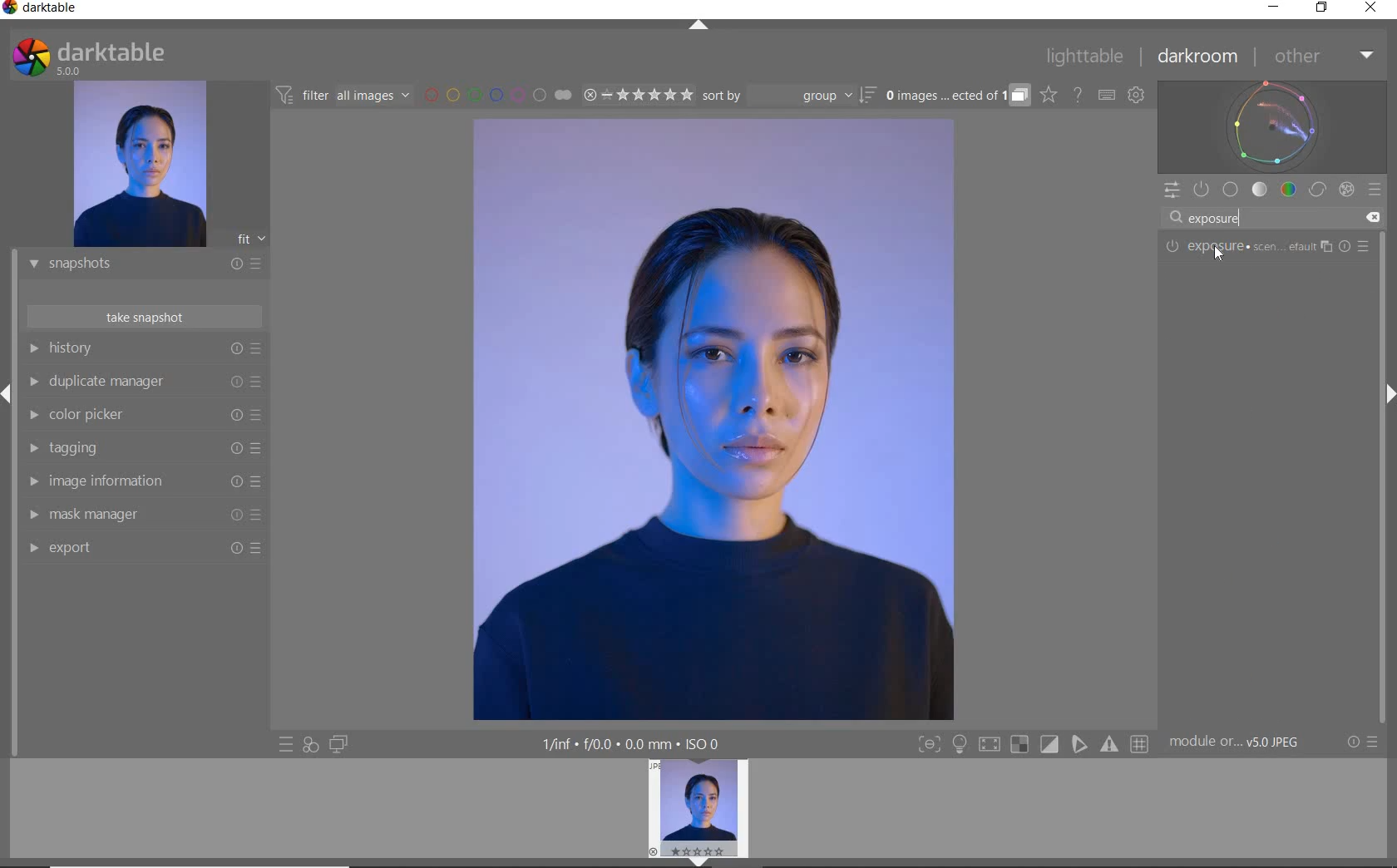 The width and height of the screenshot is (1397, 868). What do you see at coordinates (143, 382) in the screenshot?
I see `DUPLICATE MANAGER` at bounding box center [143, 382].